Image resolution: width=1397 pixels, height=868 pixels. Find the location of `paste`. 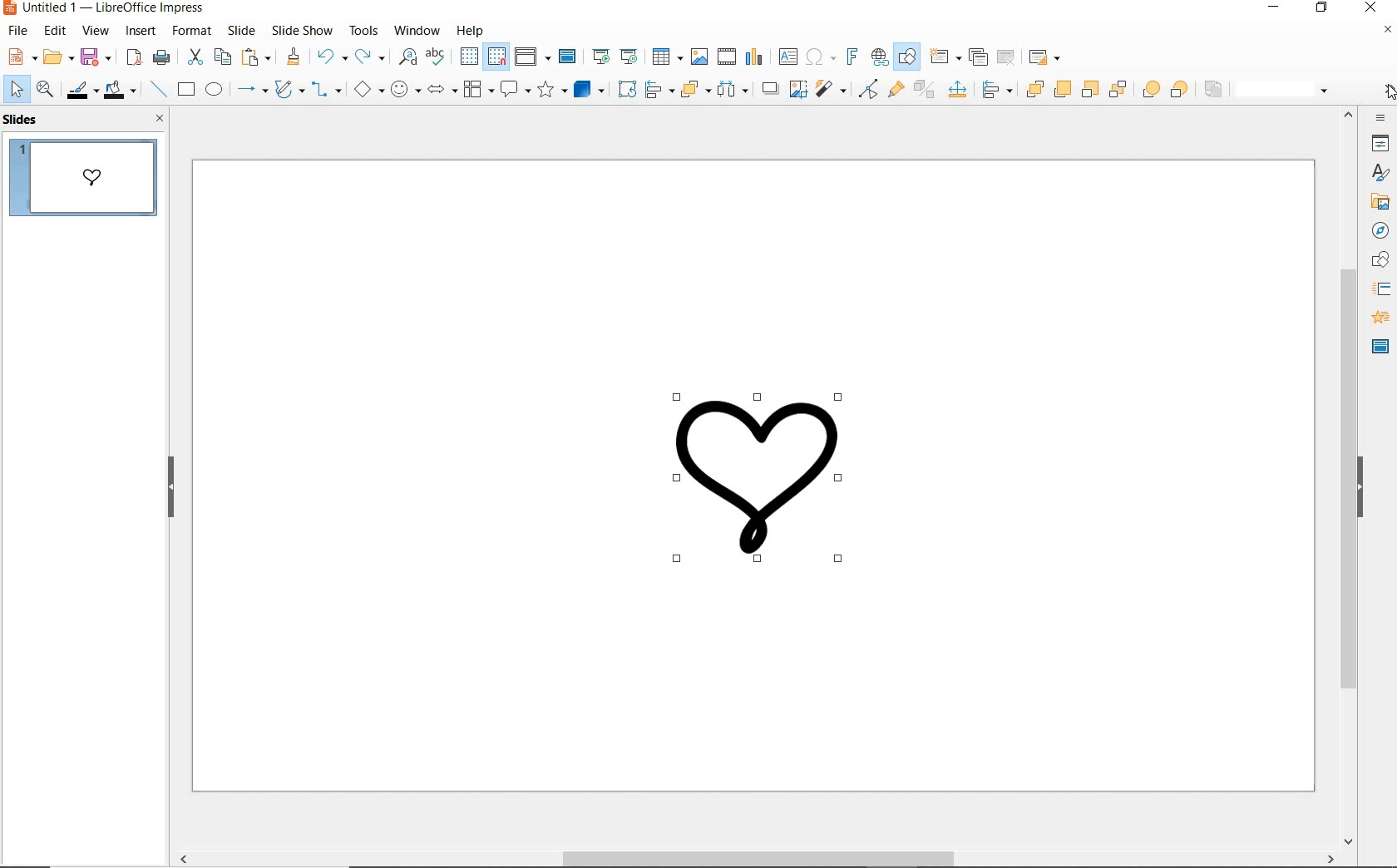

paste is located at coordinates (254, 58).